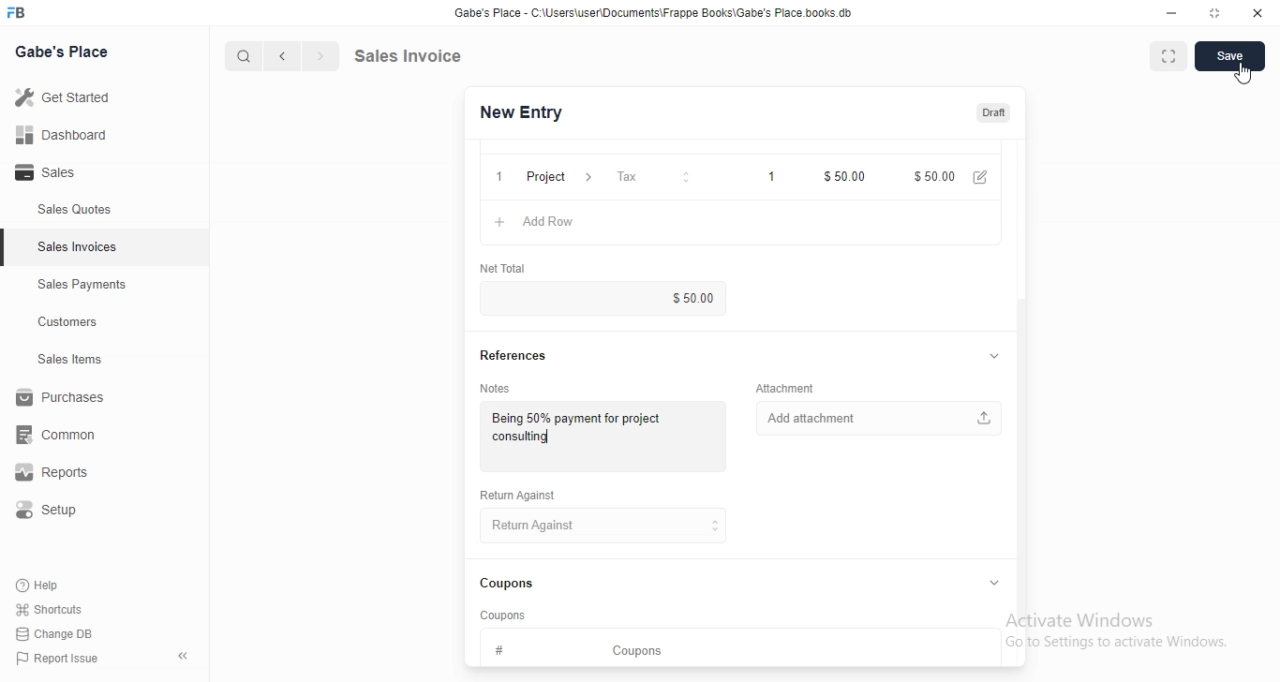  I want to click on edit, so click(983, 177).